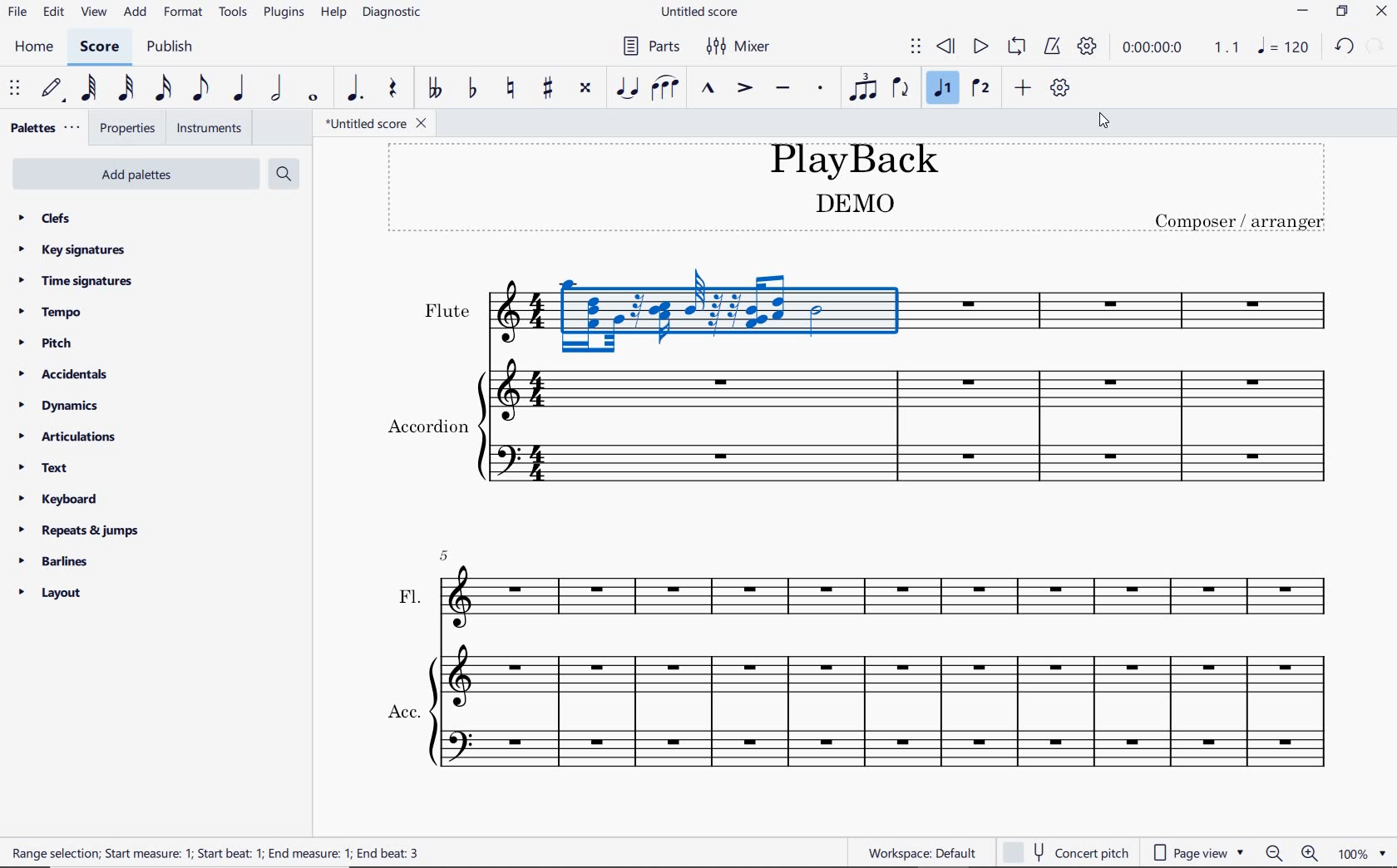 The image size is (1397, 868). What do you see at coordinates (862, 711) in the screenshot?
I see `ACC.` at bounding box center [862, 711].